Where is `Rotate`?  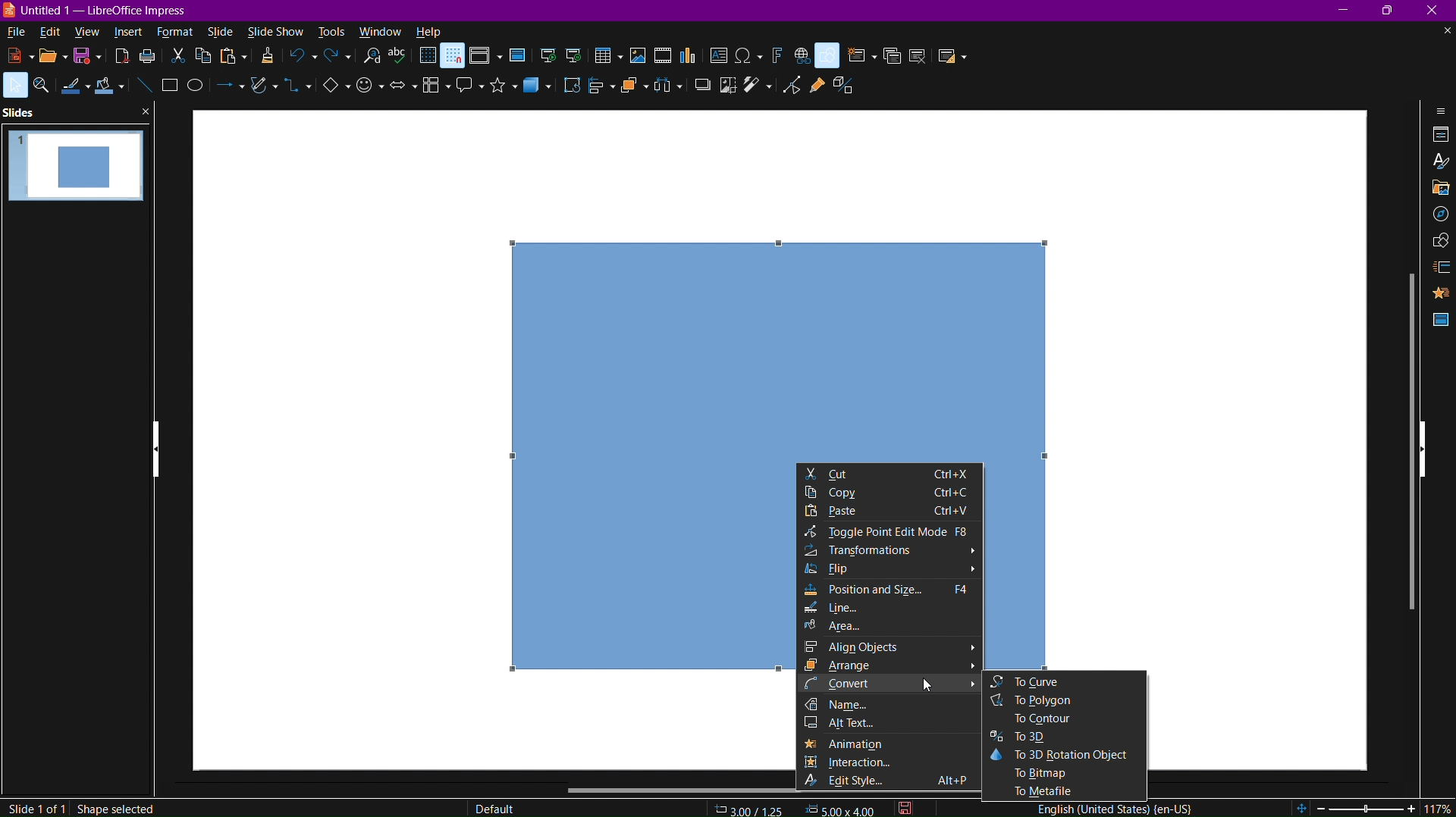 Rotate is located at coordinates (573, 90).